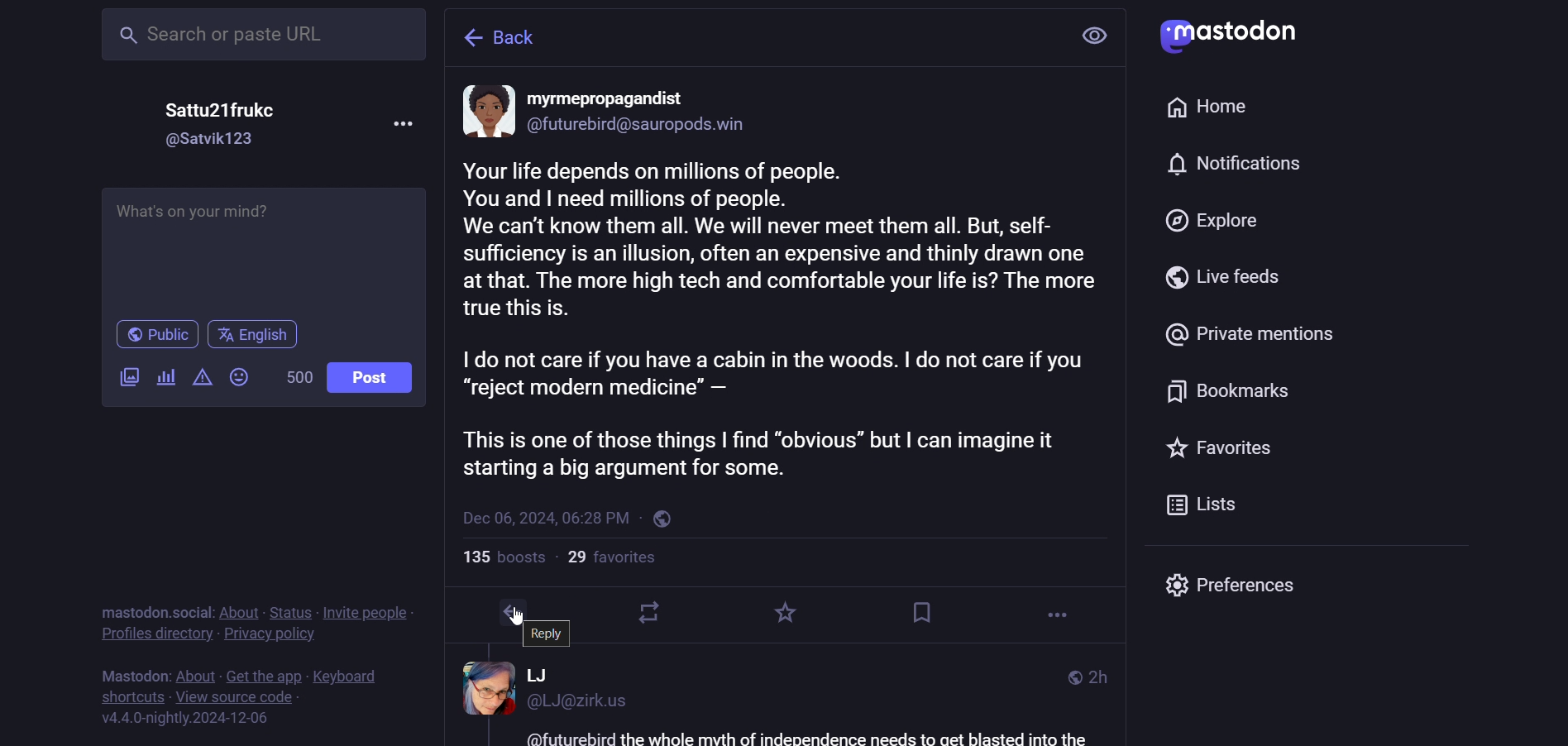 The image size is (1568, 746). What do you see at coordinates (586, 706) in the screenshot?
I see `id` at bounding box center [586, 706].